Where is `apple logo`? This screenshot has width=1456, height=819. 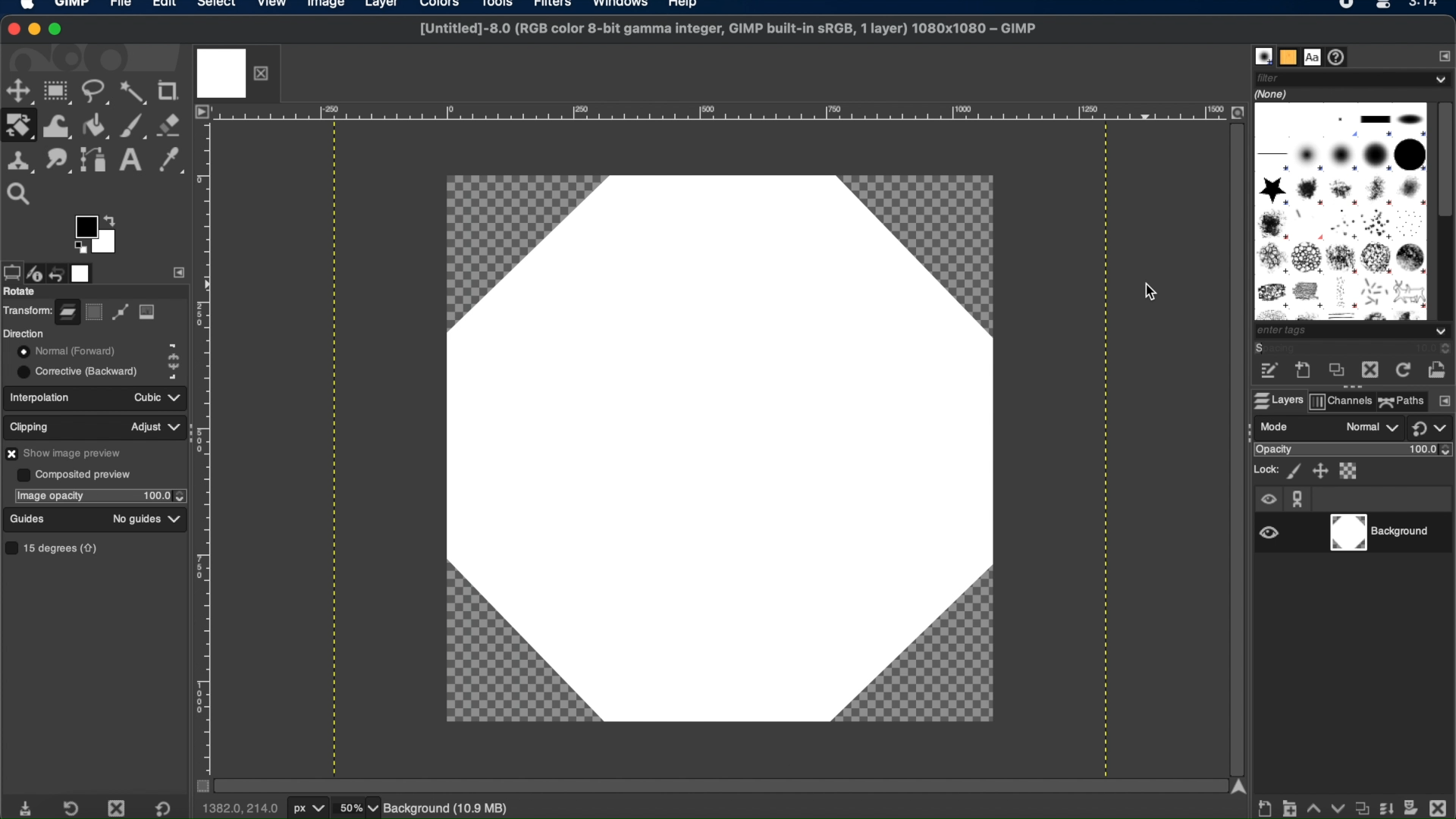 apple logo is located at coordinates (26, 8).